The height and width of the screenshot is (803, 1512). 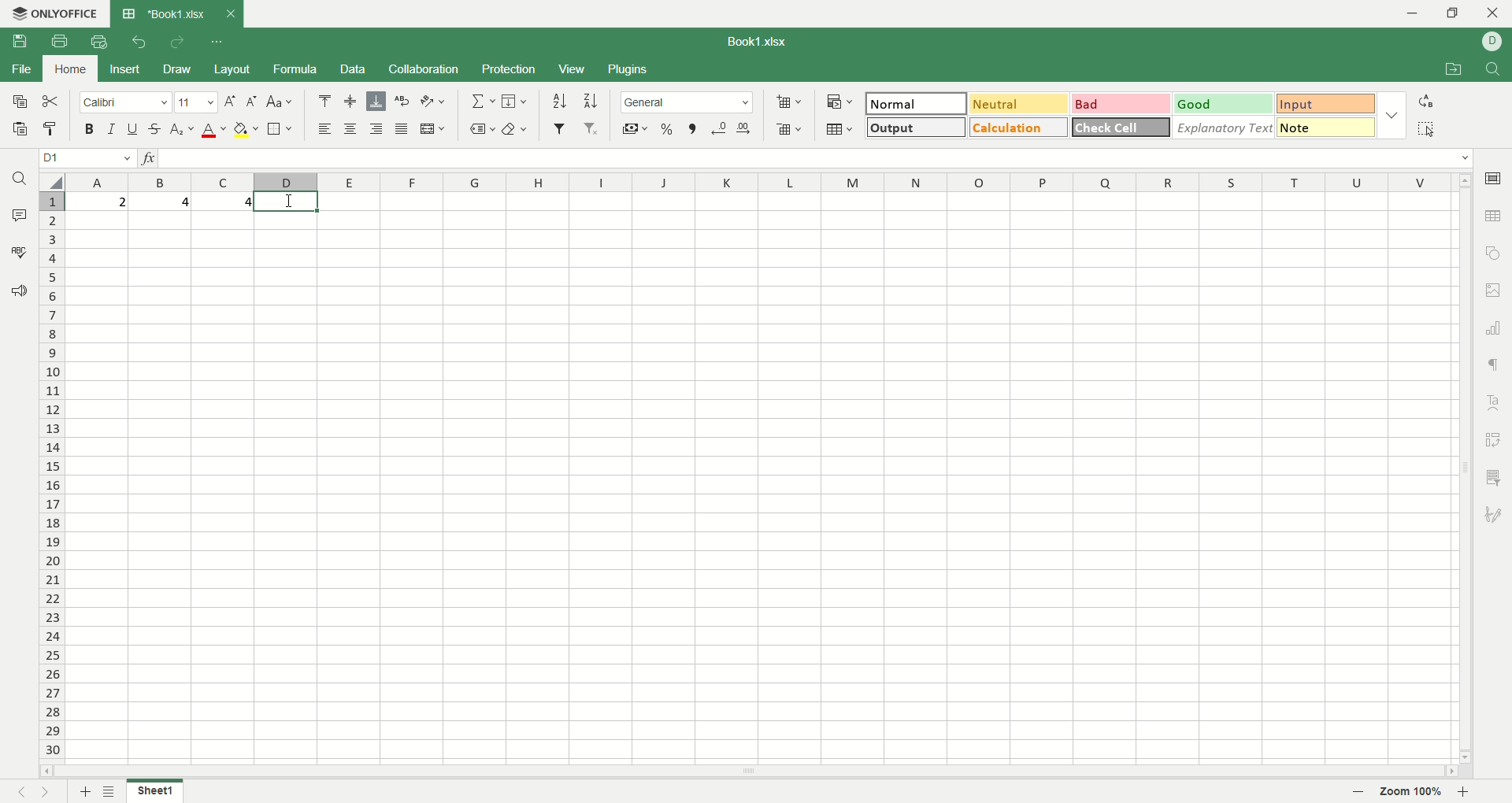 I want to click on merge and center, so click(x=434, y=128).